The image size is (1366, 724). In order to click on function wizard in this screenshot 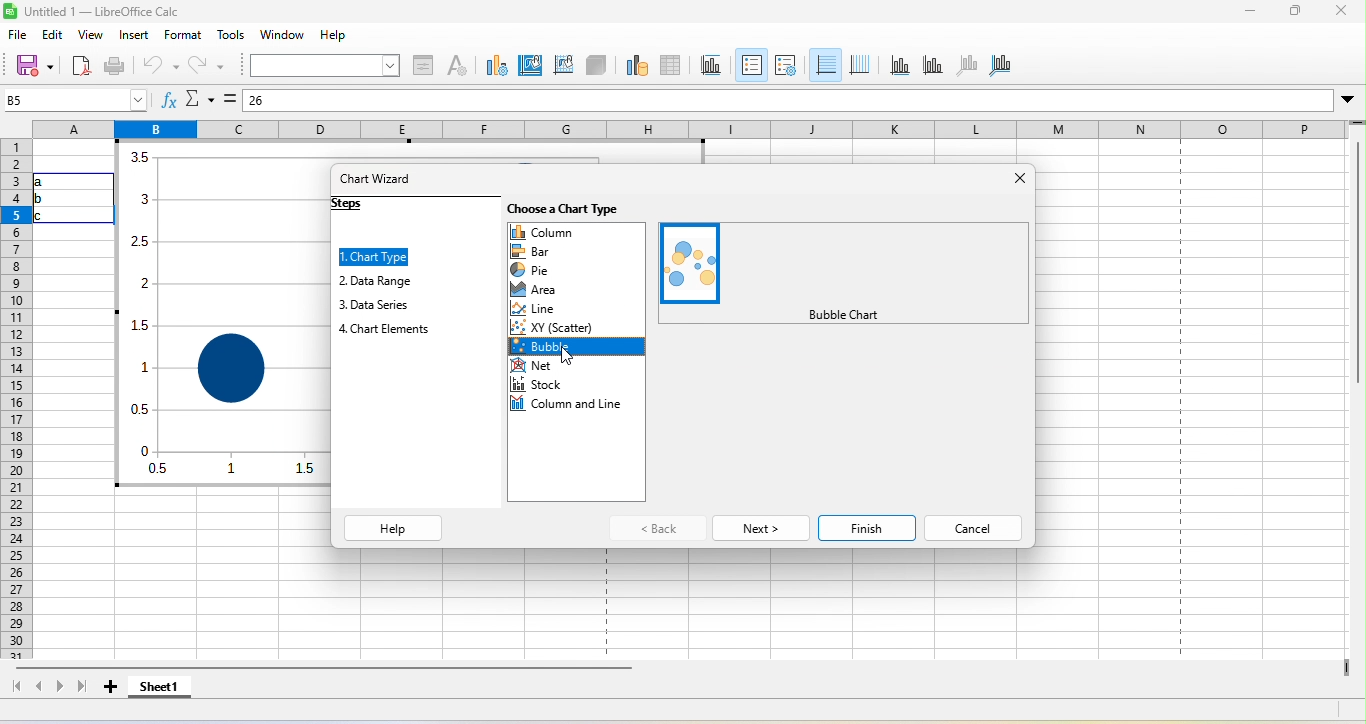, I will do `click(163, 99)`.